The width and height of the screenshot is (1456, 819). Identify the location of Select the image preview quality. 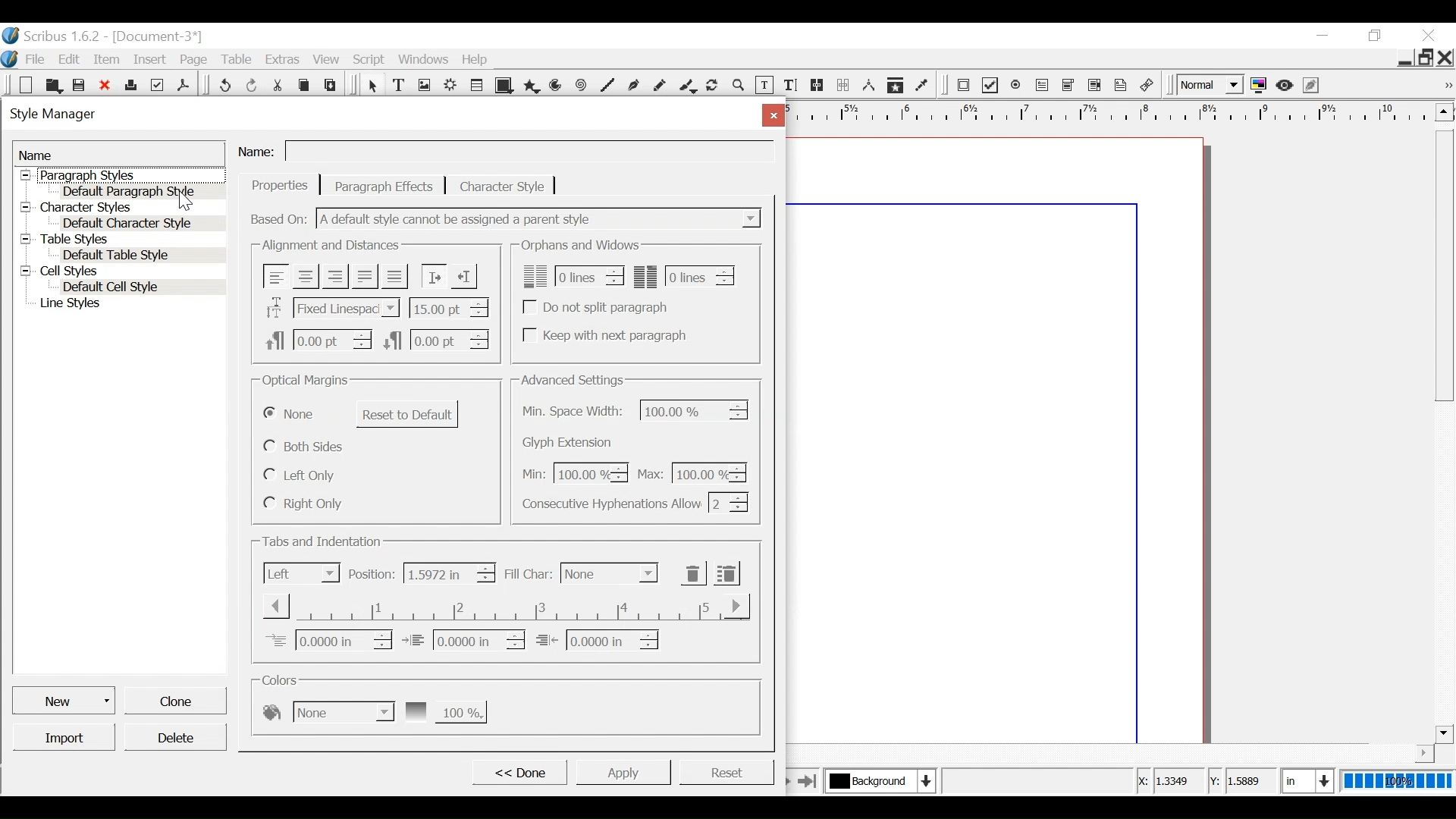
(1212, 85).